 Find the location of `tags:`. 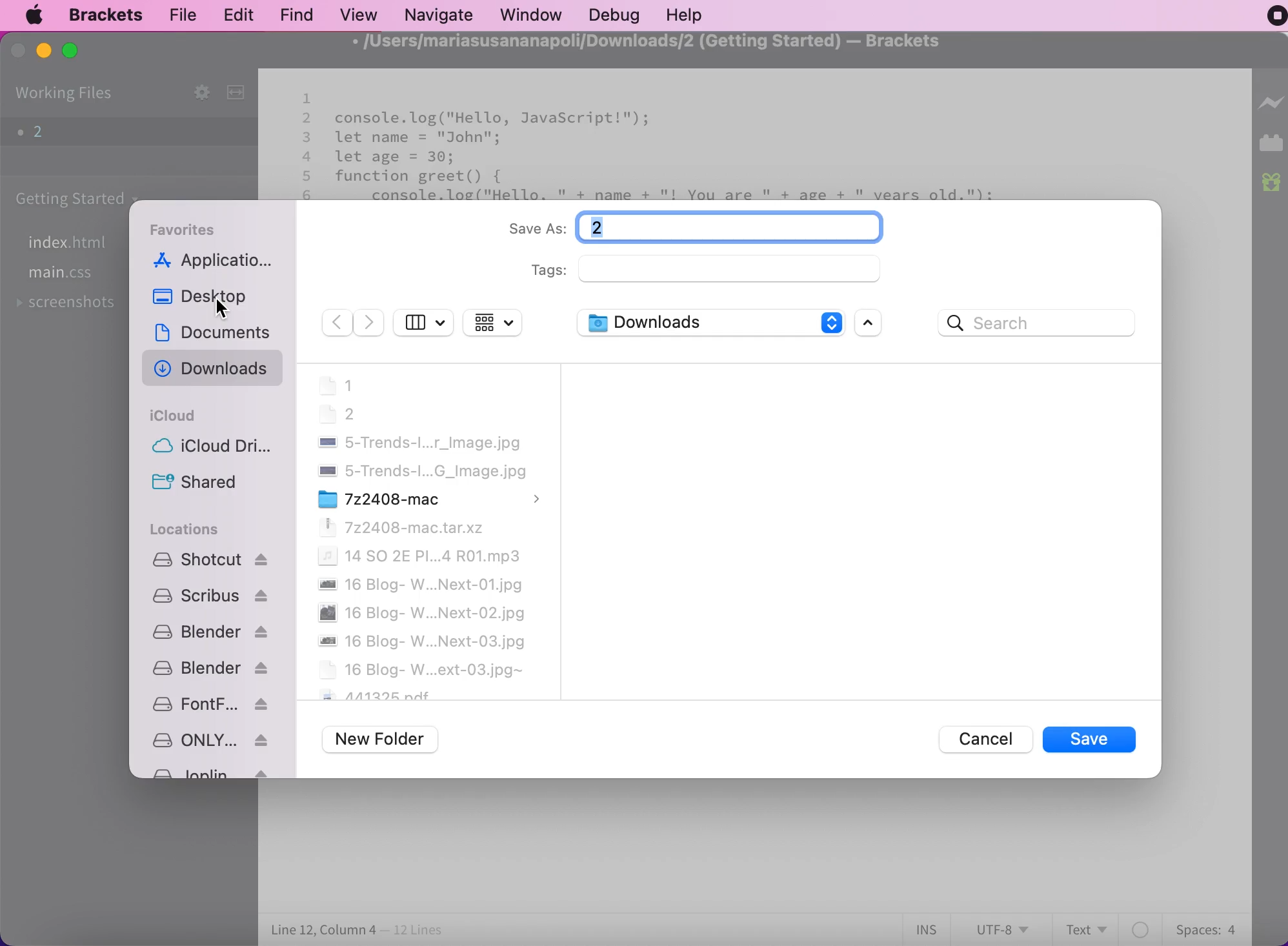

tags: is located at coordinates (723, 270).